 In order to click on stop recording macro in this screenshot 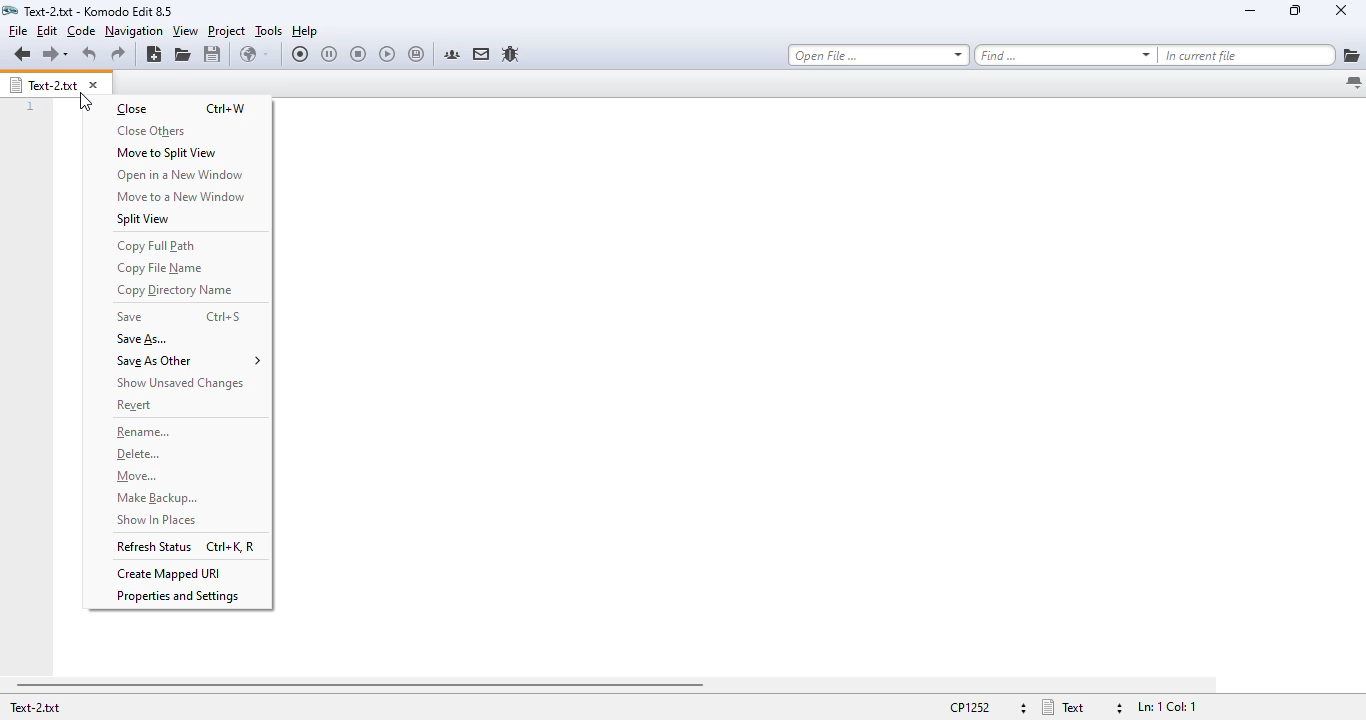, I will do `click(358, 53)`.